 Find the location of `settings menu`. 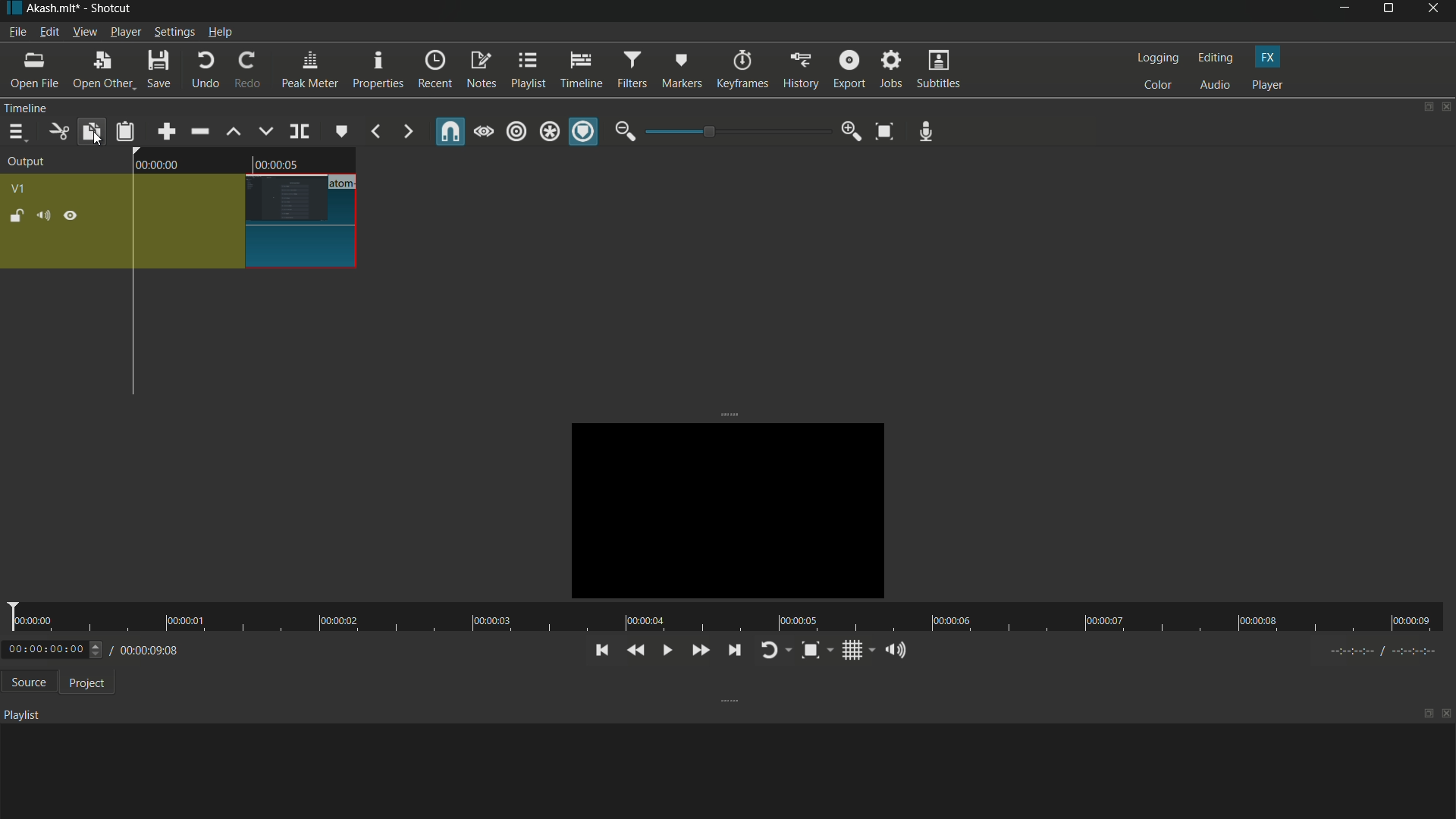

settings menu is located at coordinates (174, 32).